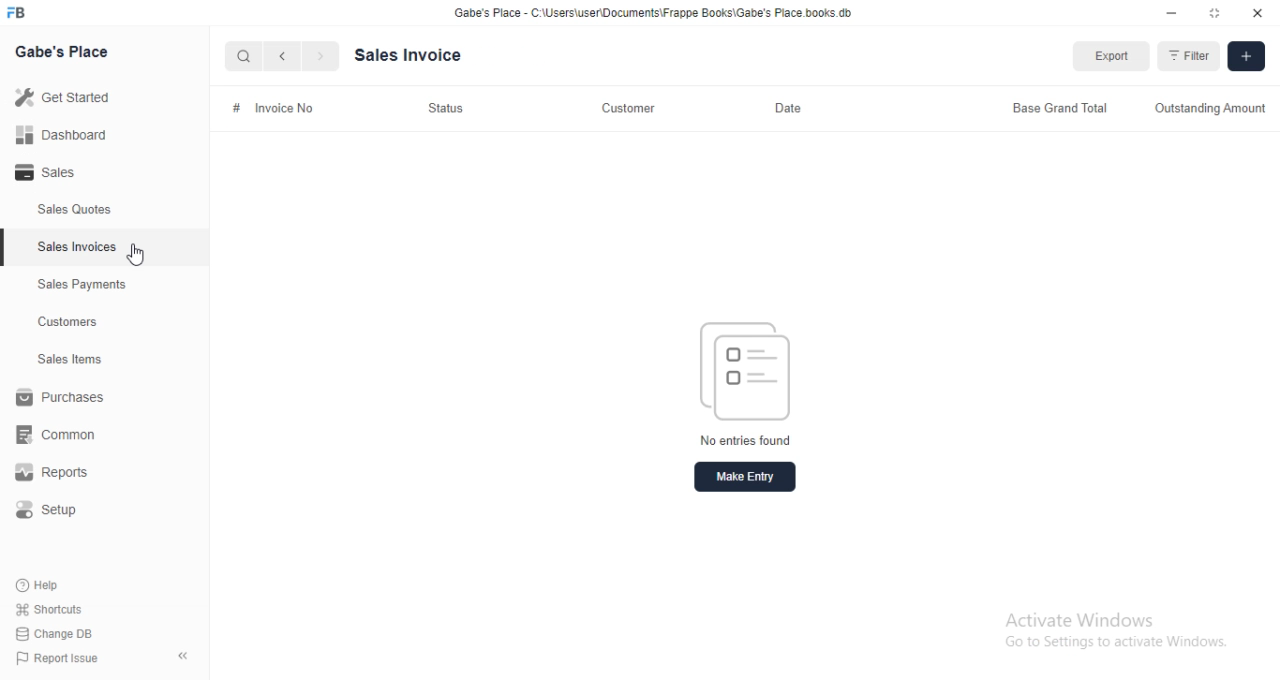 Image resolution: width=1280 pixels, height=680 pixels. What do you see at coordinates (1209, 111) in the screenshot?
I see `Outstanding Amount` at bounding box center [1209, 111].